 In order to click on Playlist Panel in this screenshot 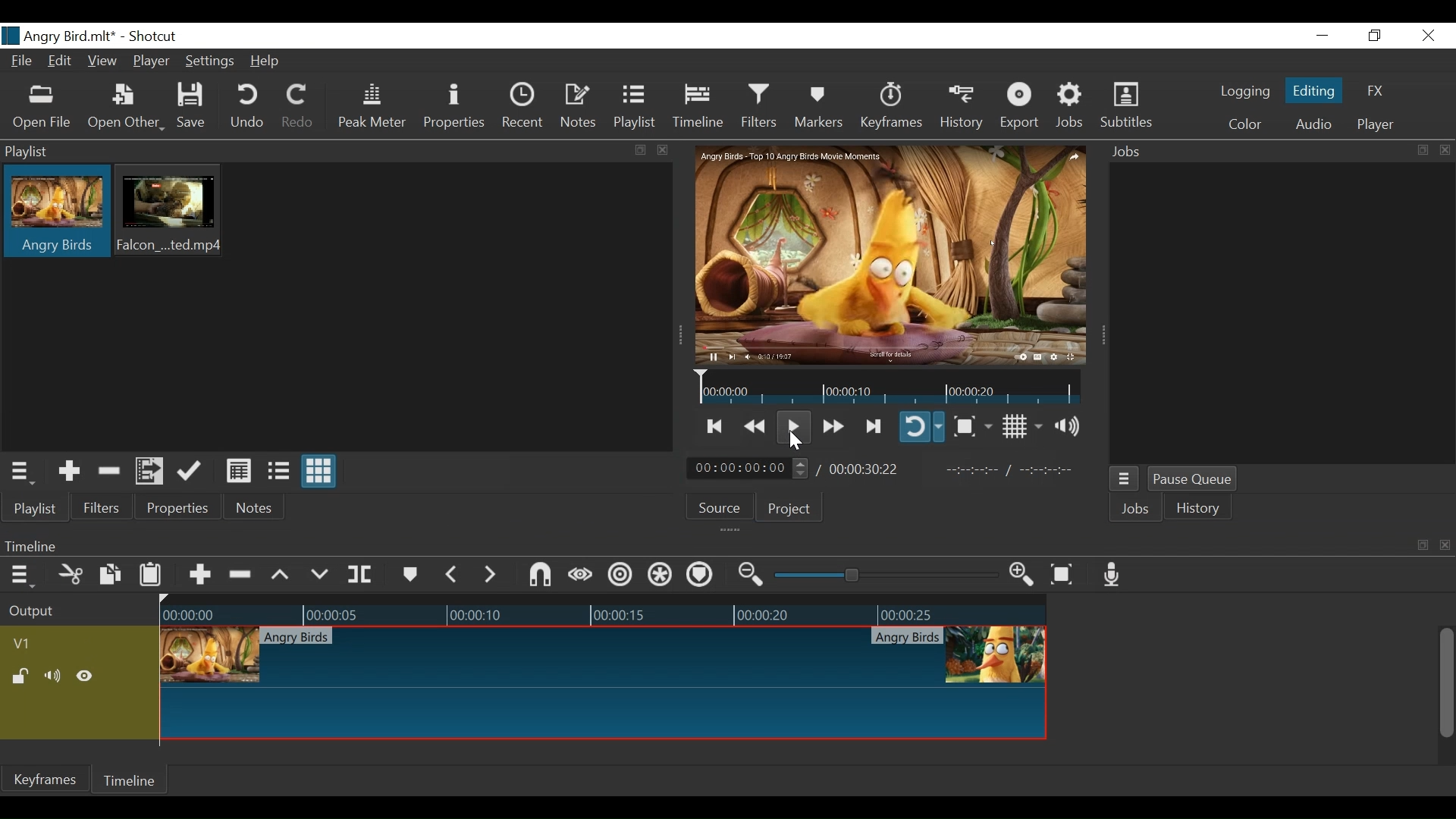, I will do `click(333, 152)`.